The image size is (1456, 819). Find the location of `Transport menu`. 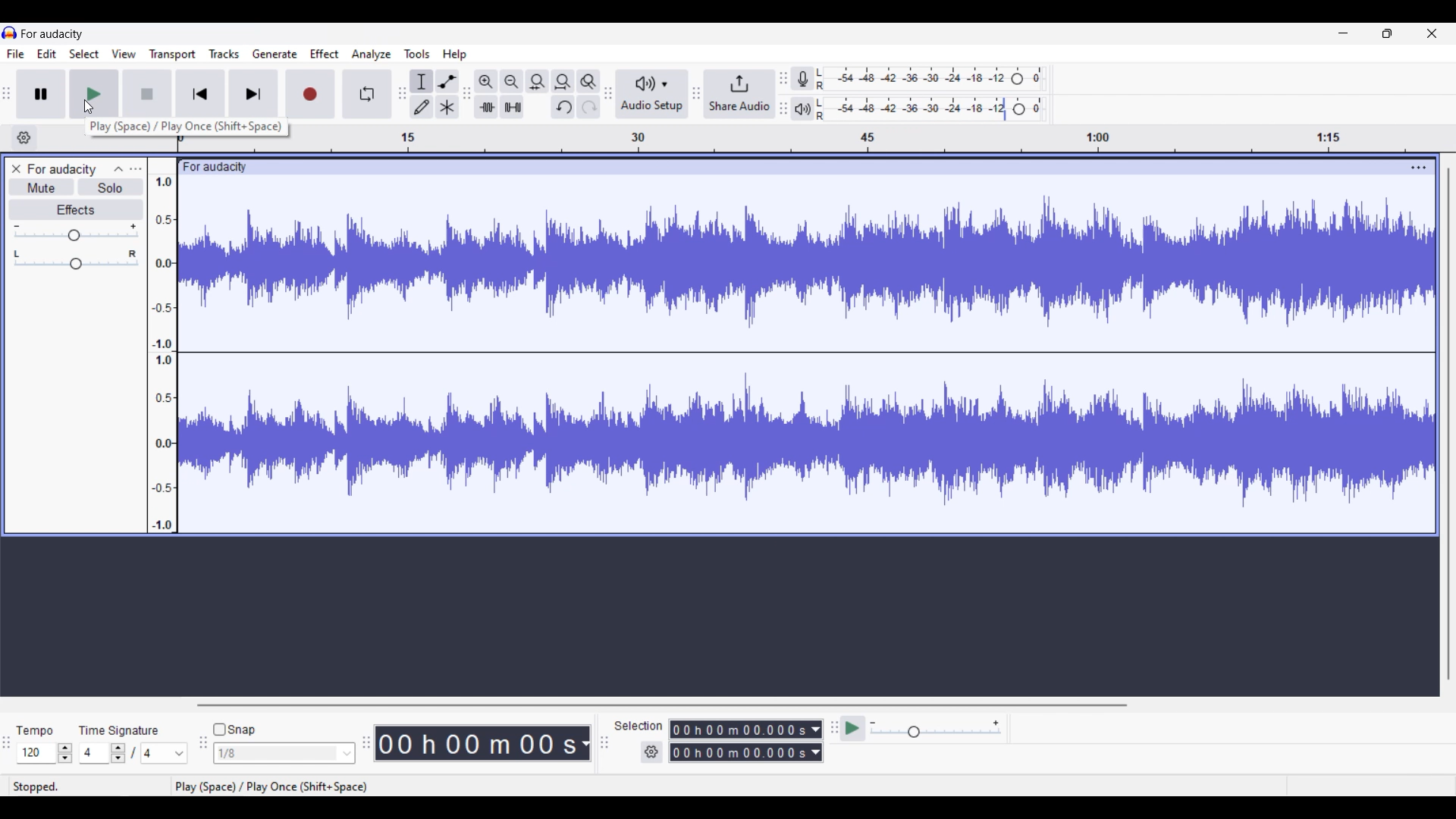

Transport menu is located at coordinates (172, 55).